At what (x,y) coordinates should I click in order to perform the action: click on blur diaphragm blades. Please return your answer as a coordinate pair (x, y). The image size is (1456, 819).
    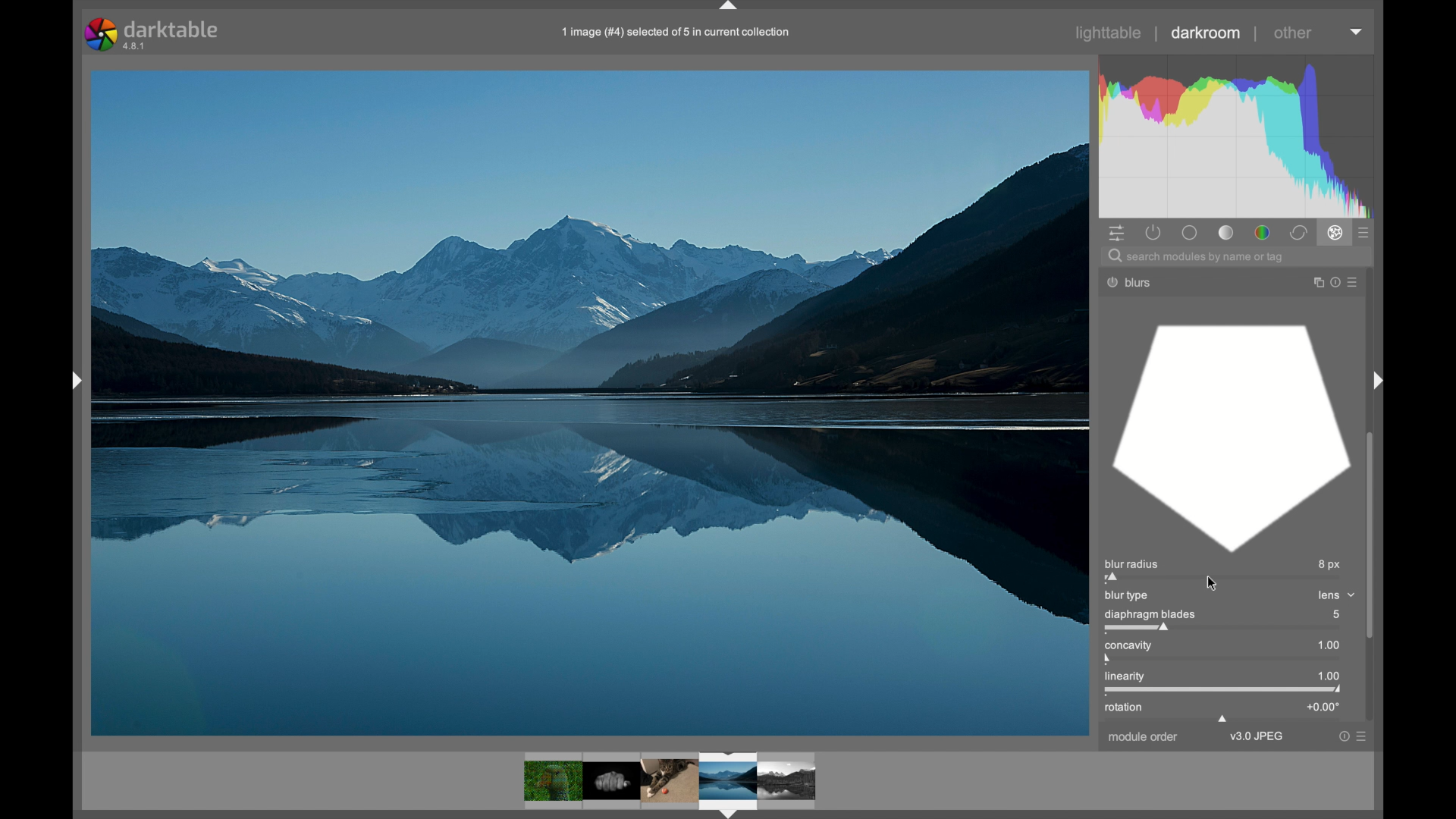
    Looking at the image, I should click on (1230, 437).